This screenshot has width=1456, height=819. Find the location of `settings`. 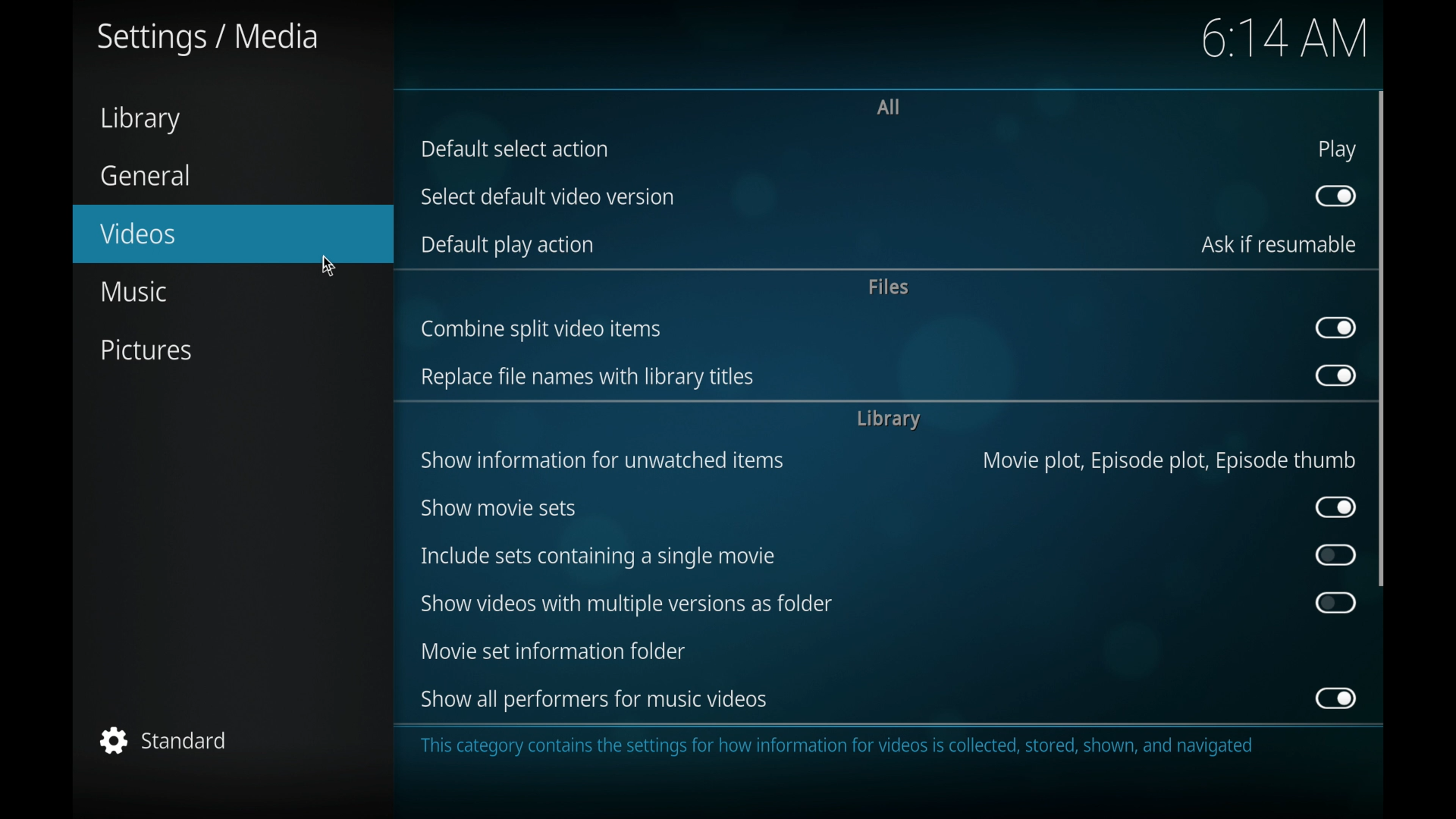

settings is located at coordinates (208, 38).